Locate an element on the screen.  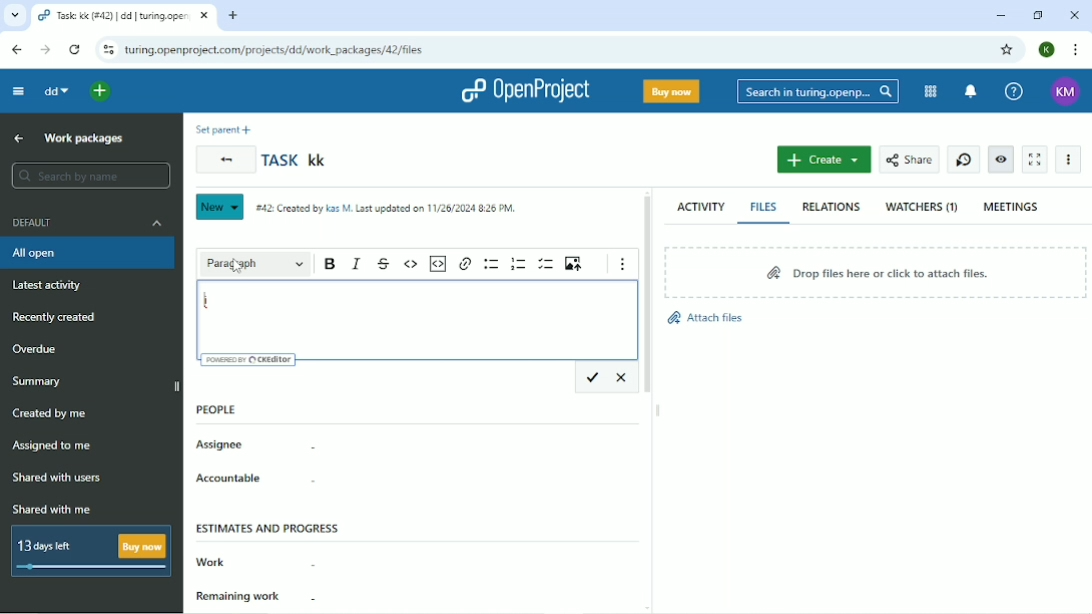
Show more items is located at coordinates (624, 264).